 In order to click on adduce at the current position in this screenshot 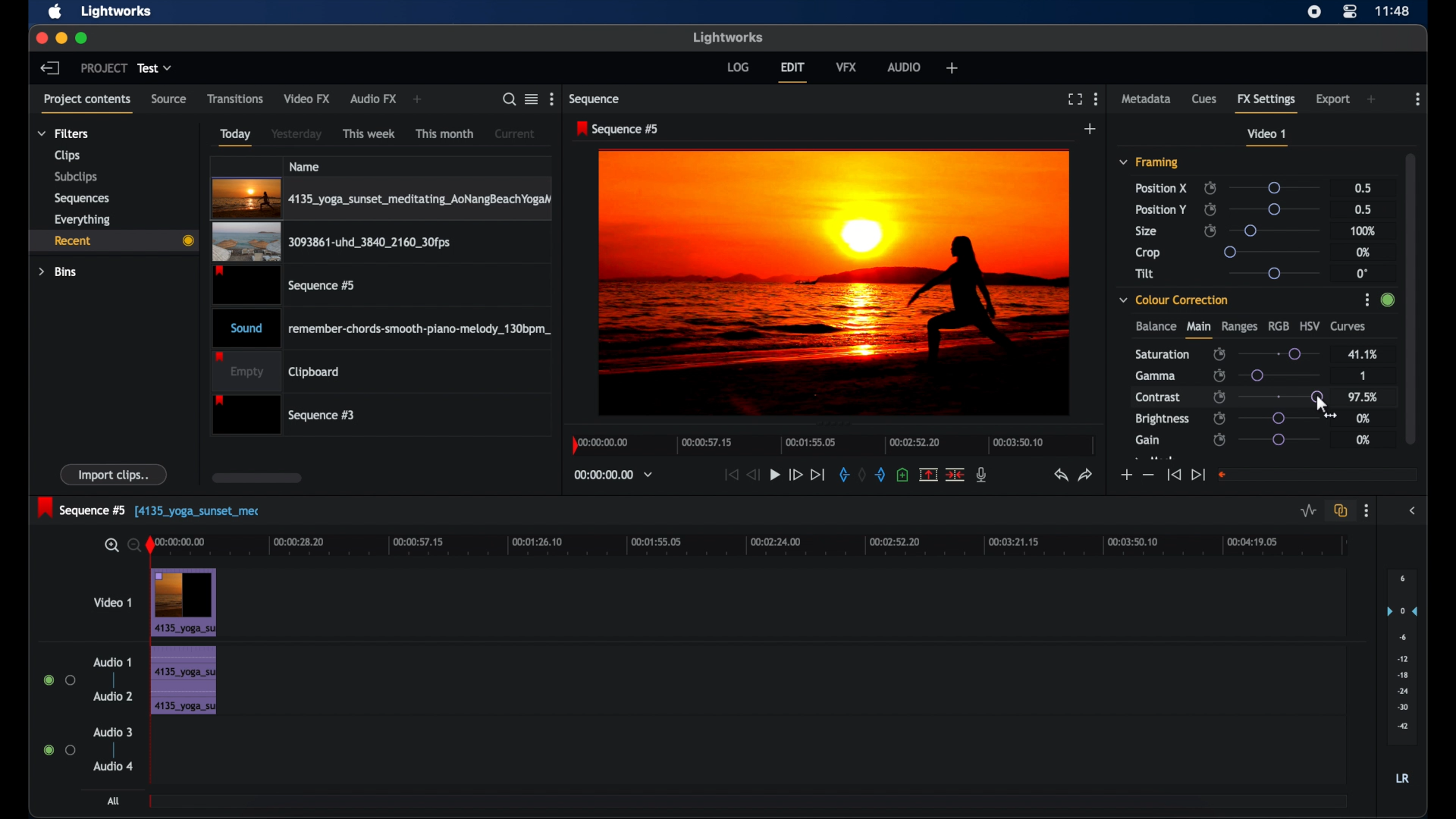, I will do `click(902, 474)`.